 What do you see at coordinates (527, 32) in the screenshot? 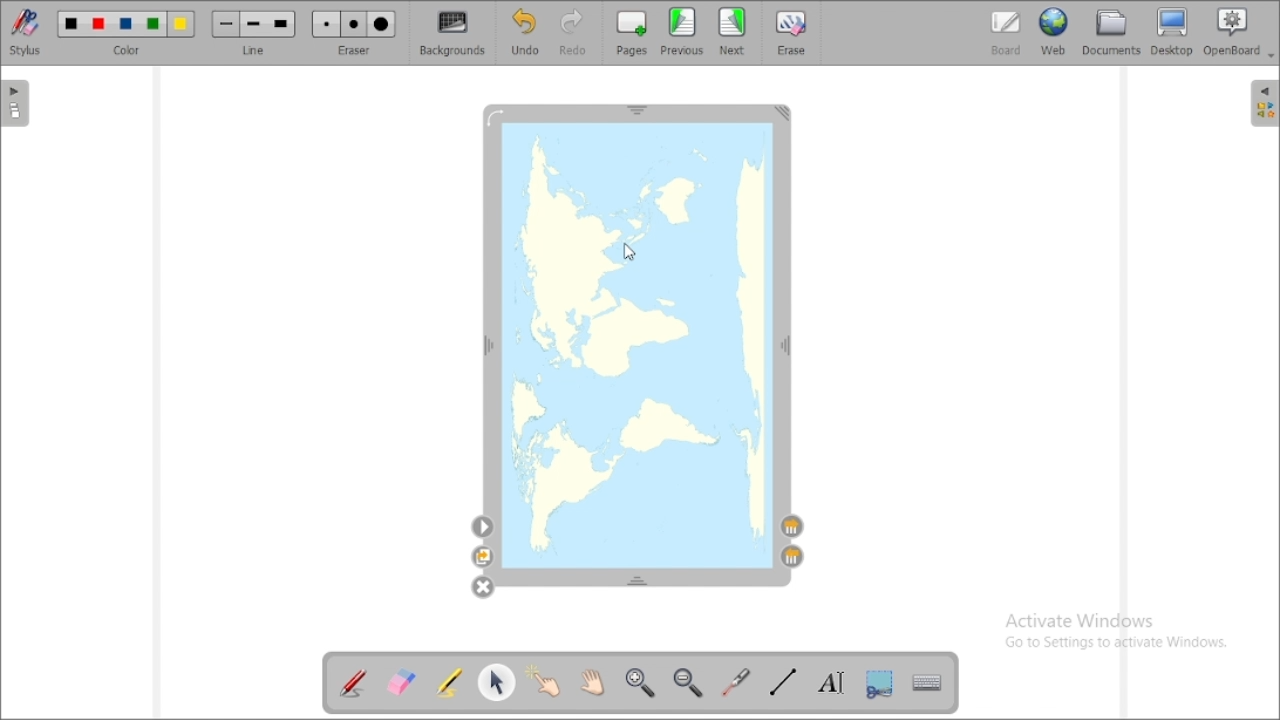
I see `undo` at bounding box center [527, 32].